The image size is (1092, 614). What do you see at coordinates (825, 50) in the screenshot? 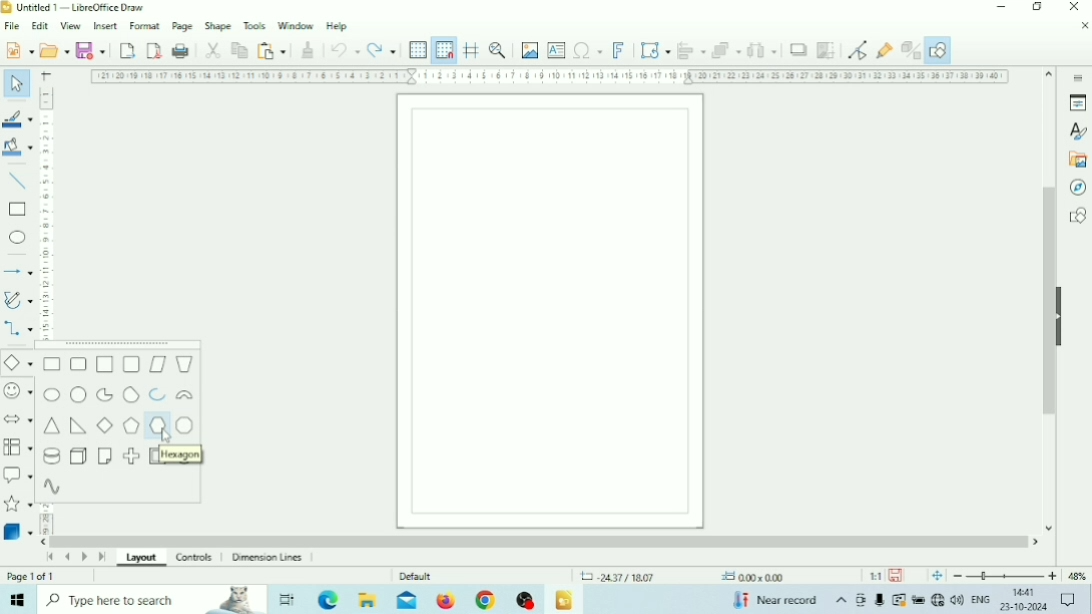
I see `Crop Image` at bounding box center [825, 50].